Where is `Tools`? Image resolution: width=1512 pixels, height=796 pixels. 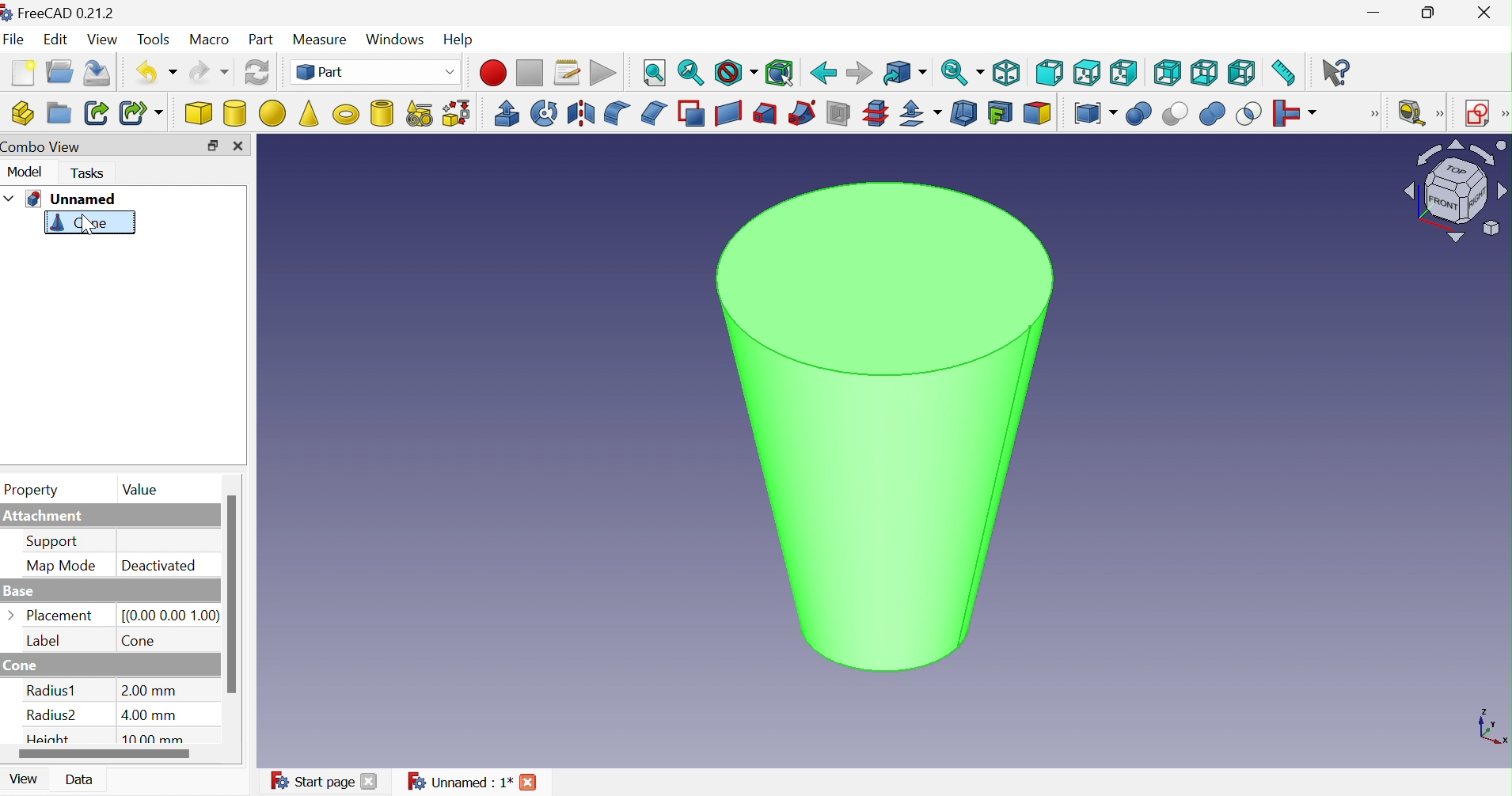 Tools is located at coordinates (154, 40).